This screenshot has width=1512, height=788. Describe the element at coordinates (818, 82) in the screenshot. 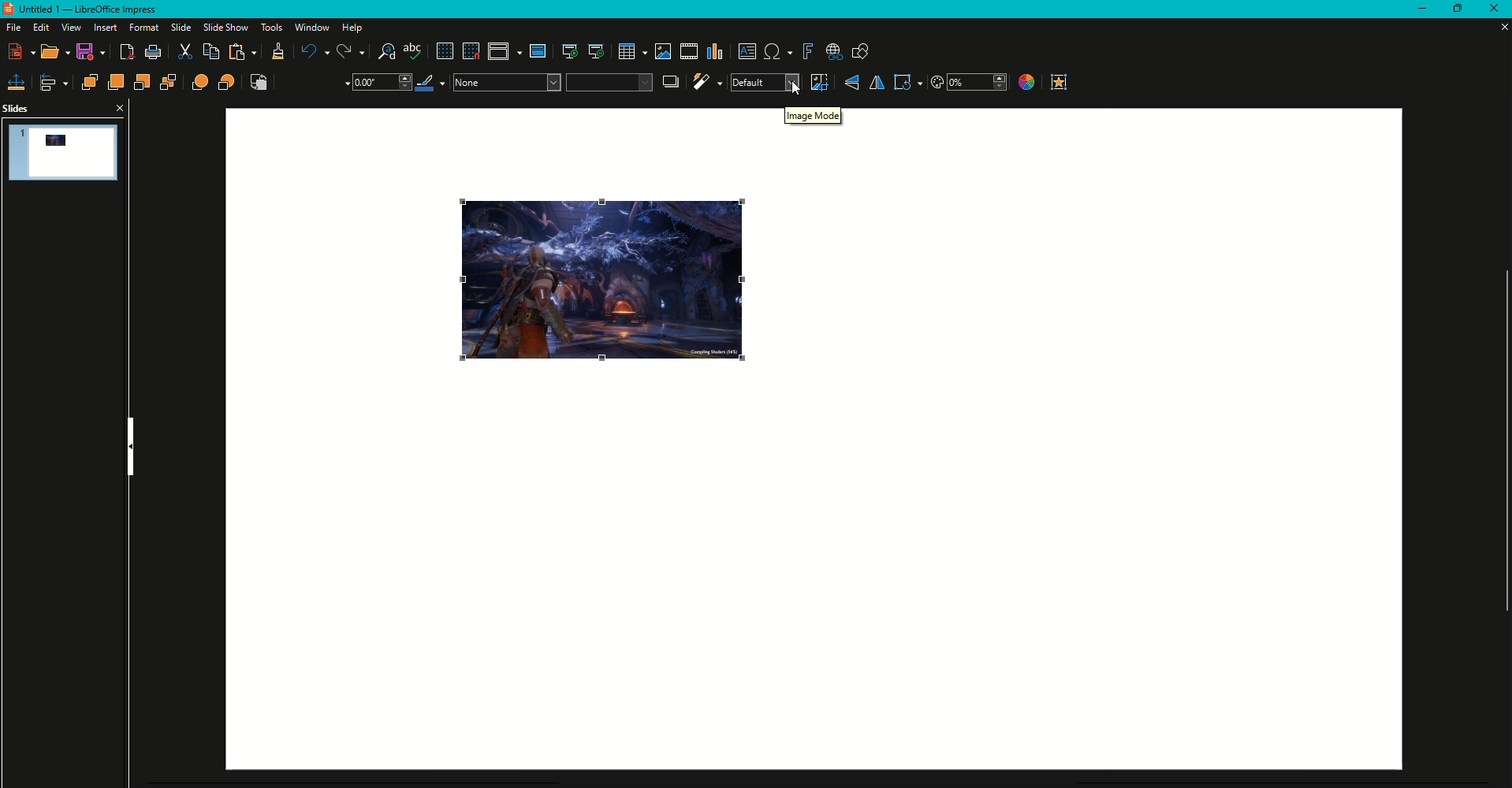

I see `Crop` at that location.